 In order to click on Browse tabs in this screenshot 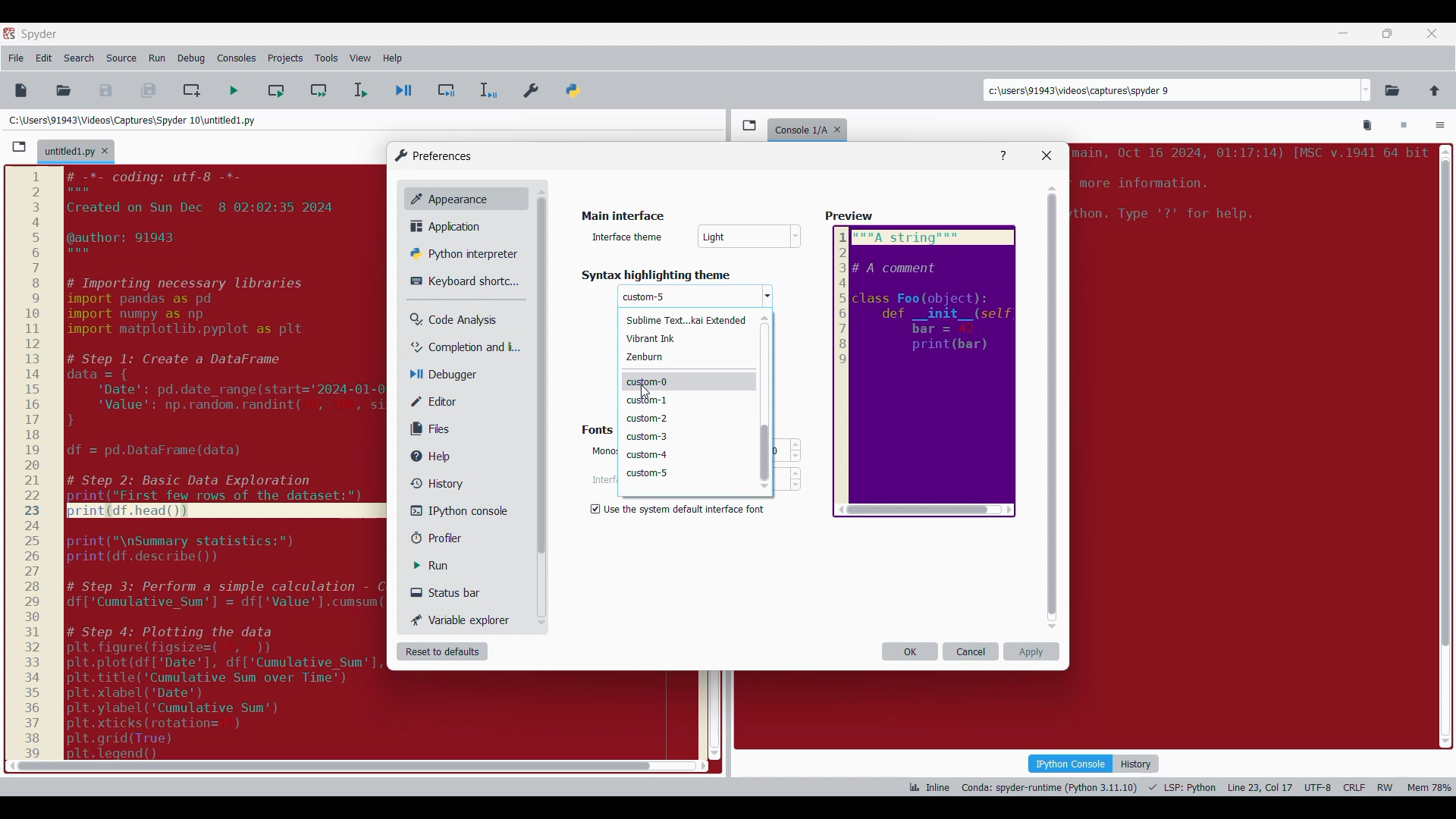, I will do `click(19, 147)`.